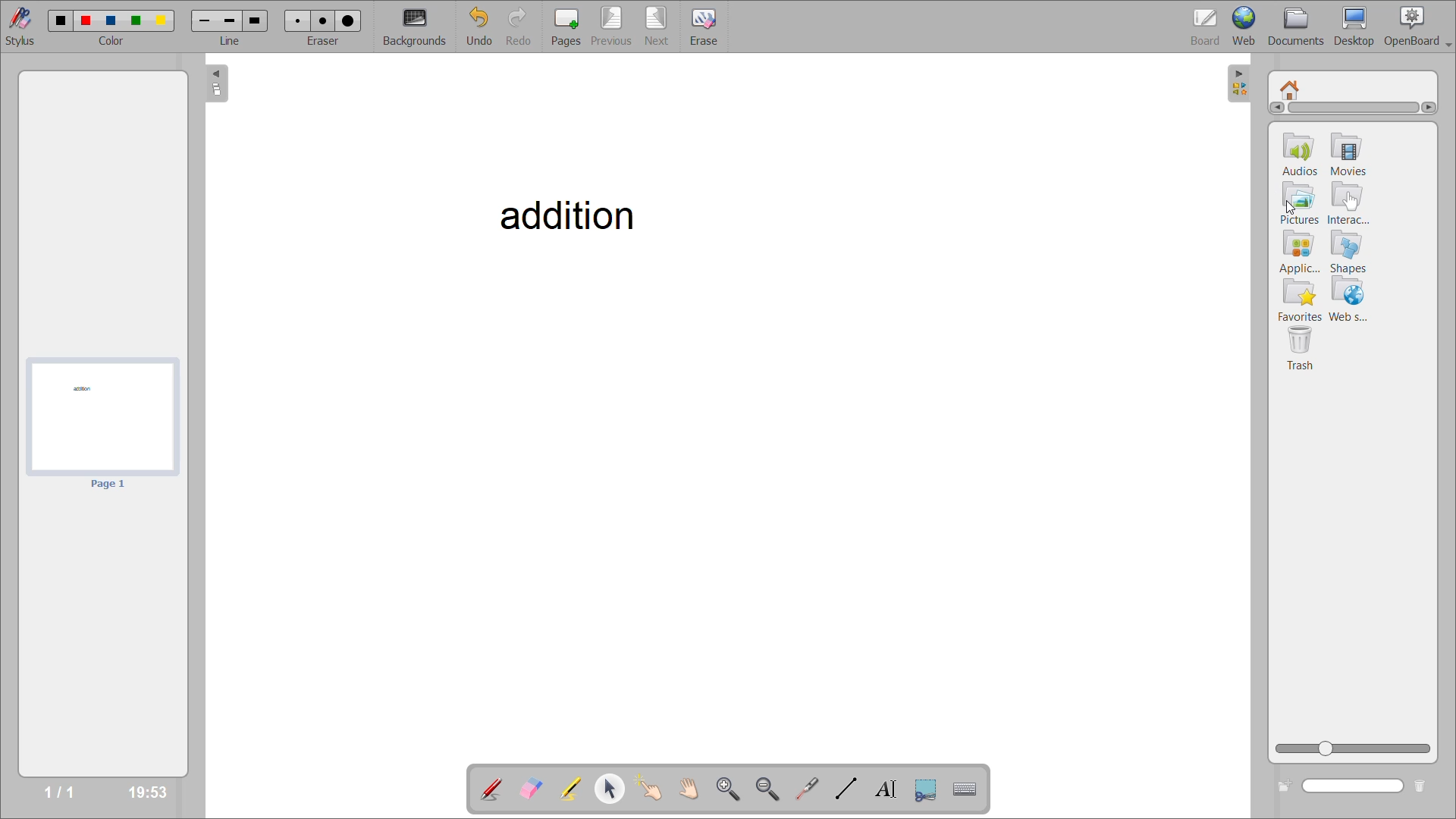  I want to click on eraser 2, so click(319, 20).